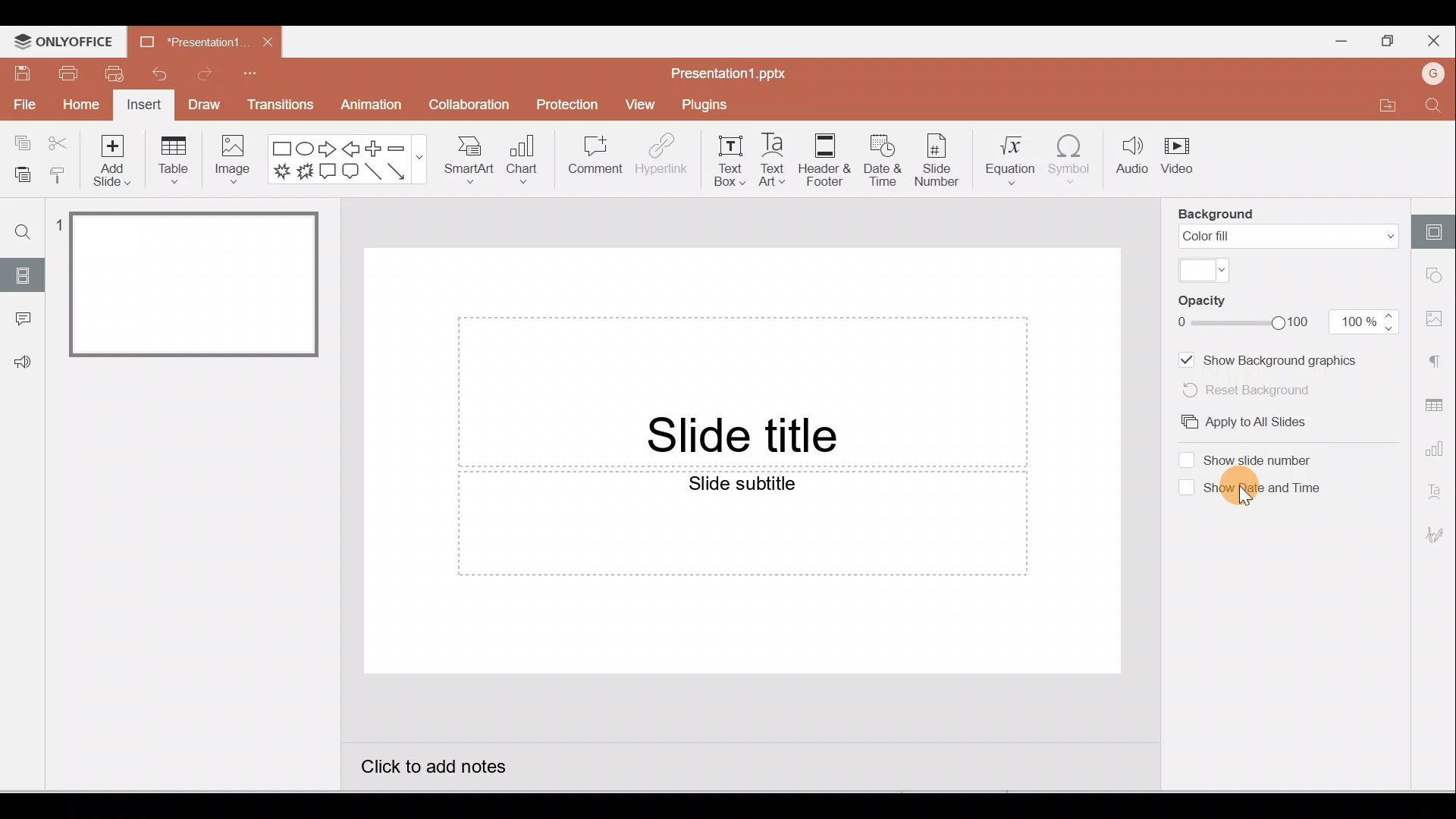 The width and height of the screenshot is (1456, 819). I want to click on Cut, so click(59, 143).